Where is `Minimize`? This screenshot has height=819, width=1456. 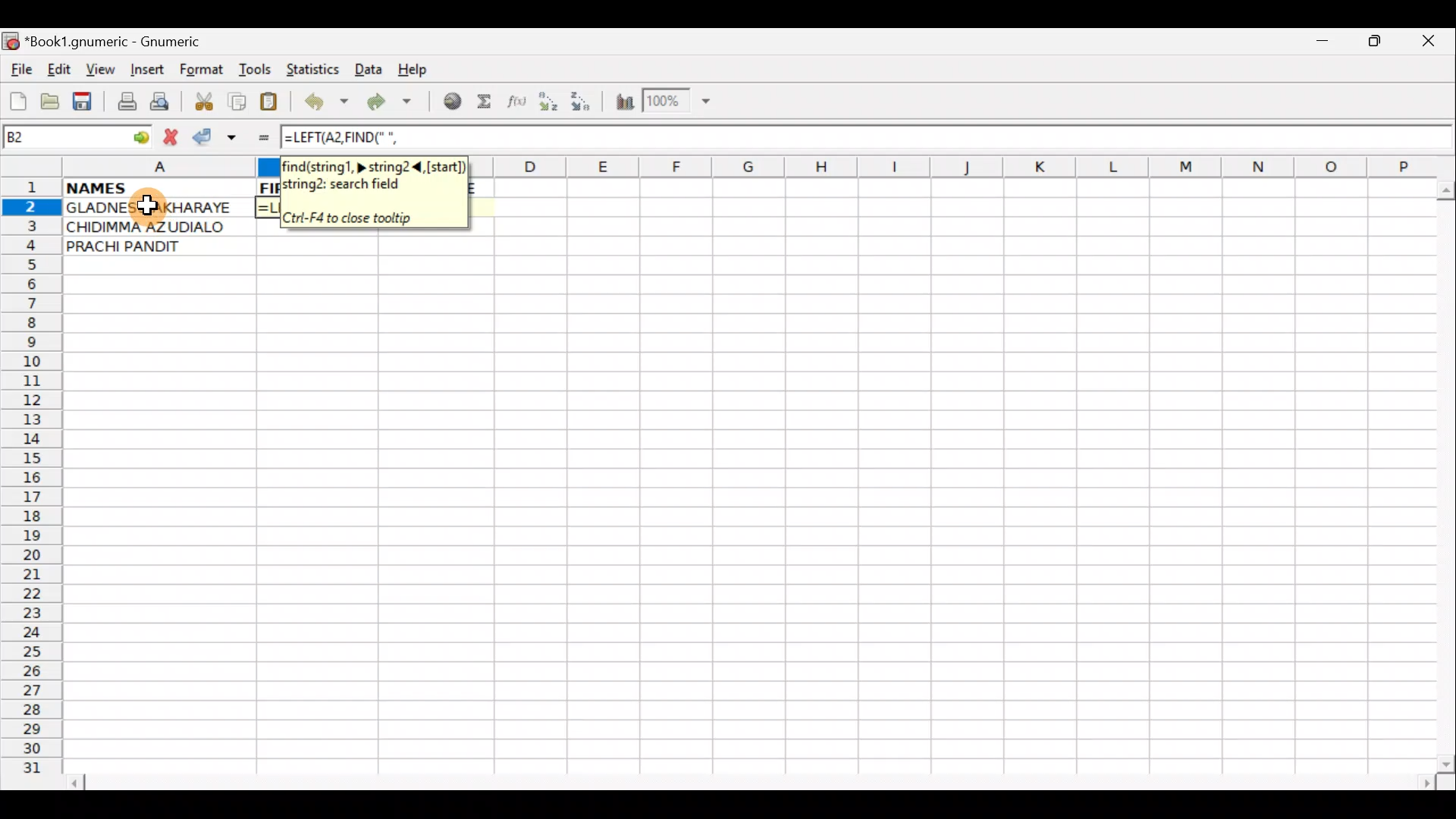 Minimize is located at coordinates (1319, 45).